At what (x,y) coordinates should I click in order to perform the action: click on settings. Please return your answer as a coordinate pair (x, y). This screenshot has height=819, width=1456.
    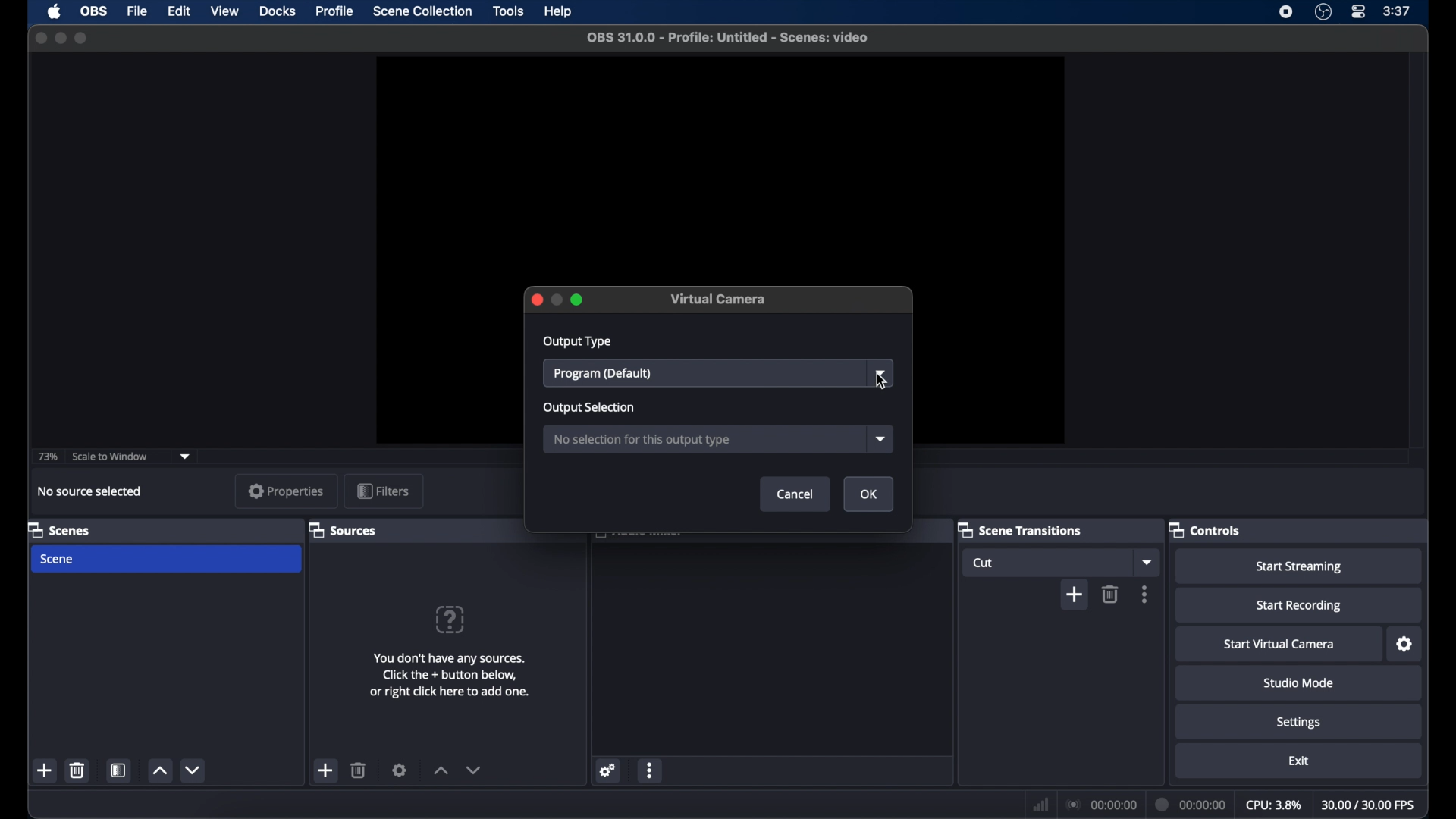
    Looking at the image, I should click on (1405, 644).